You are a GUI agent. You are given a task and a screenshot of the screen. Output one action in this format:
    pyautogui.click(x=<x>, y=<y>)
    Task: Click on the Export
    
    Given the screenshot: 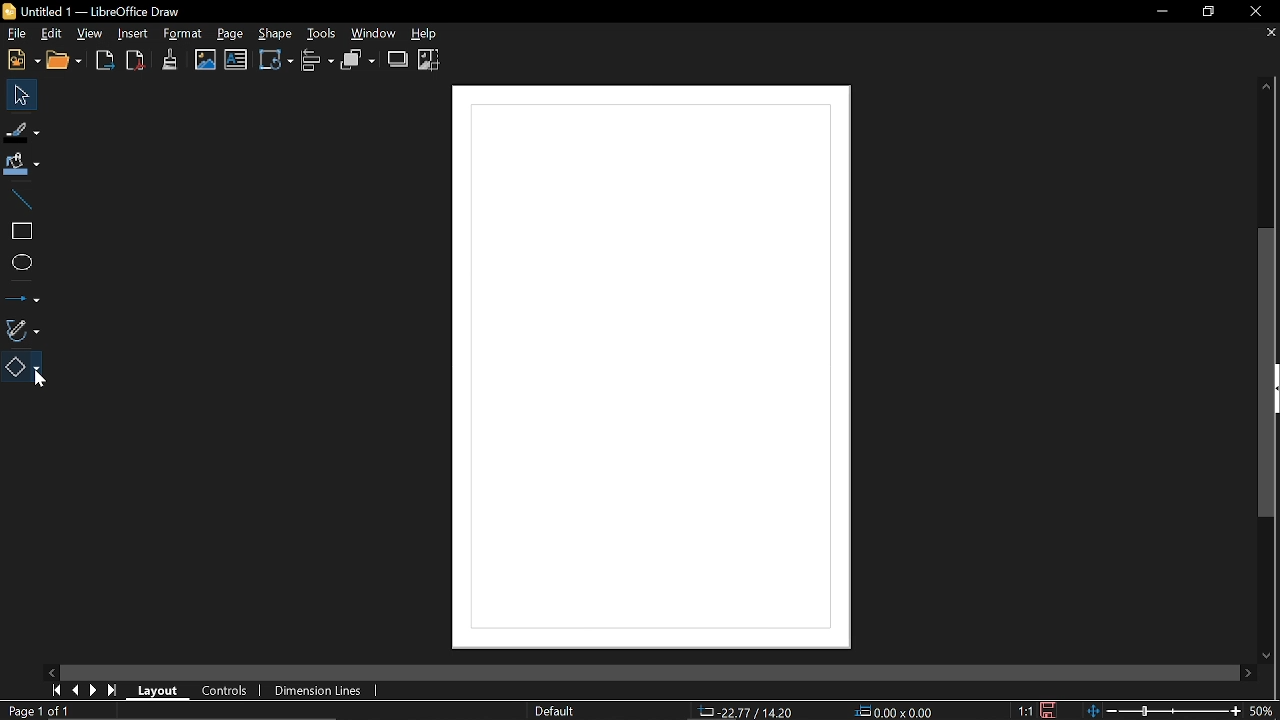 What is the action you would take?
    pyautogui.click(x=106, y=62)
    